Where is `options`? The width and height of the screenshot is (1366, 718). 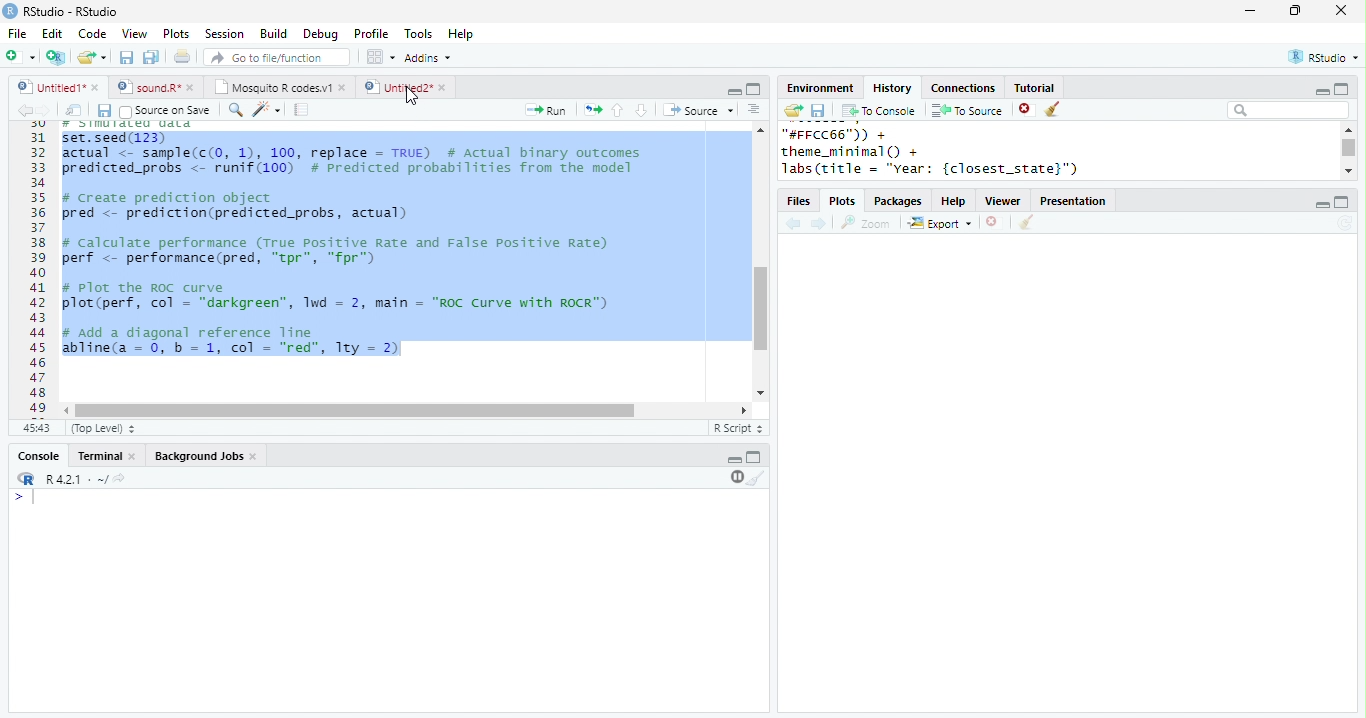
options is located at coordinates (379, 57).